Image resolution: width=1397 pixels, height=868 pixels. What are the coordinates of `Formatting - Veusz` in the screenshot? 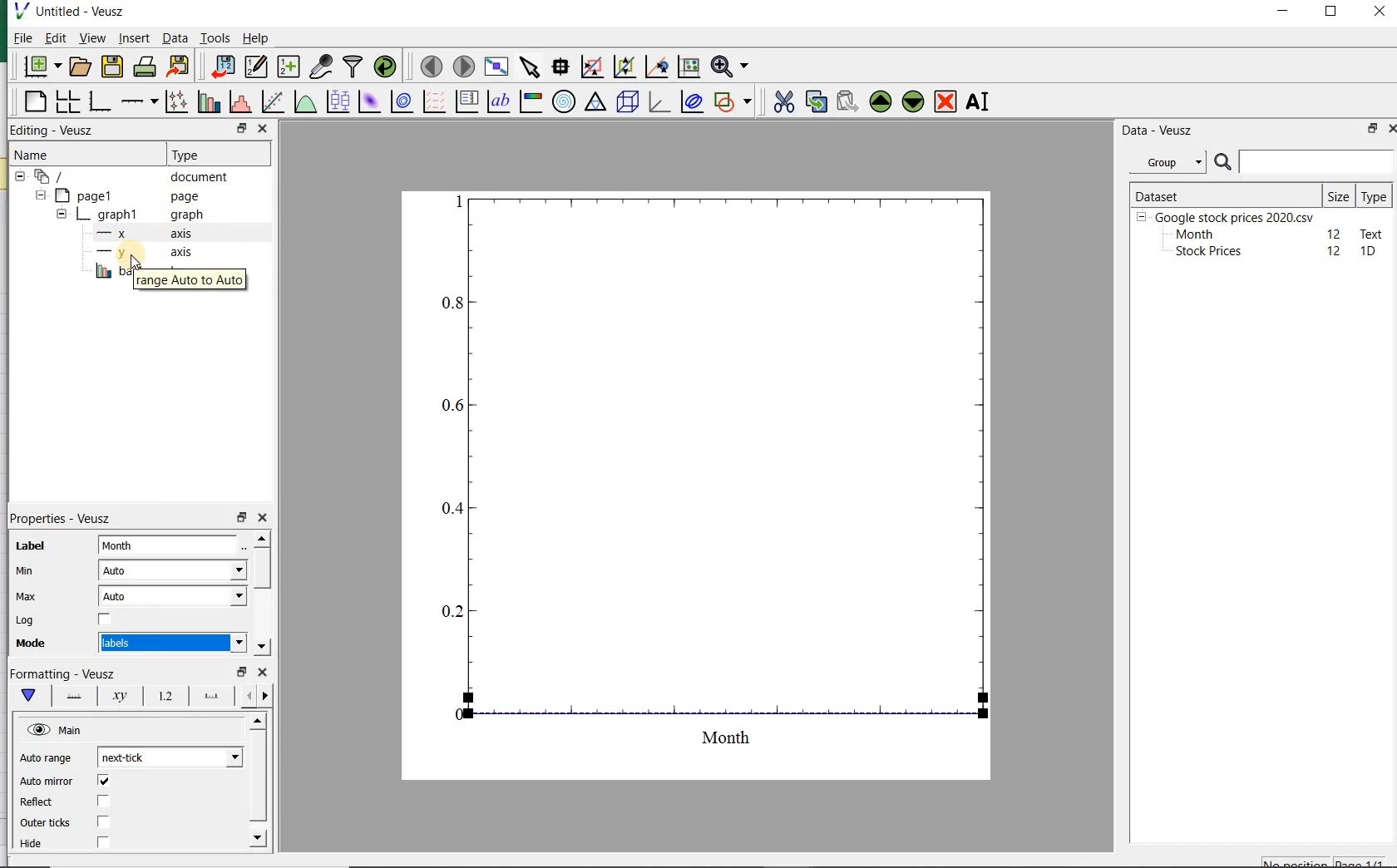 It's located at (65, 673).